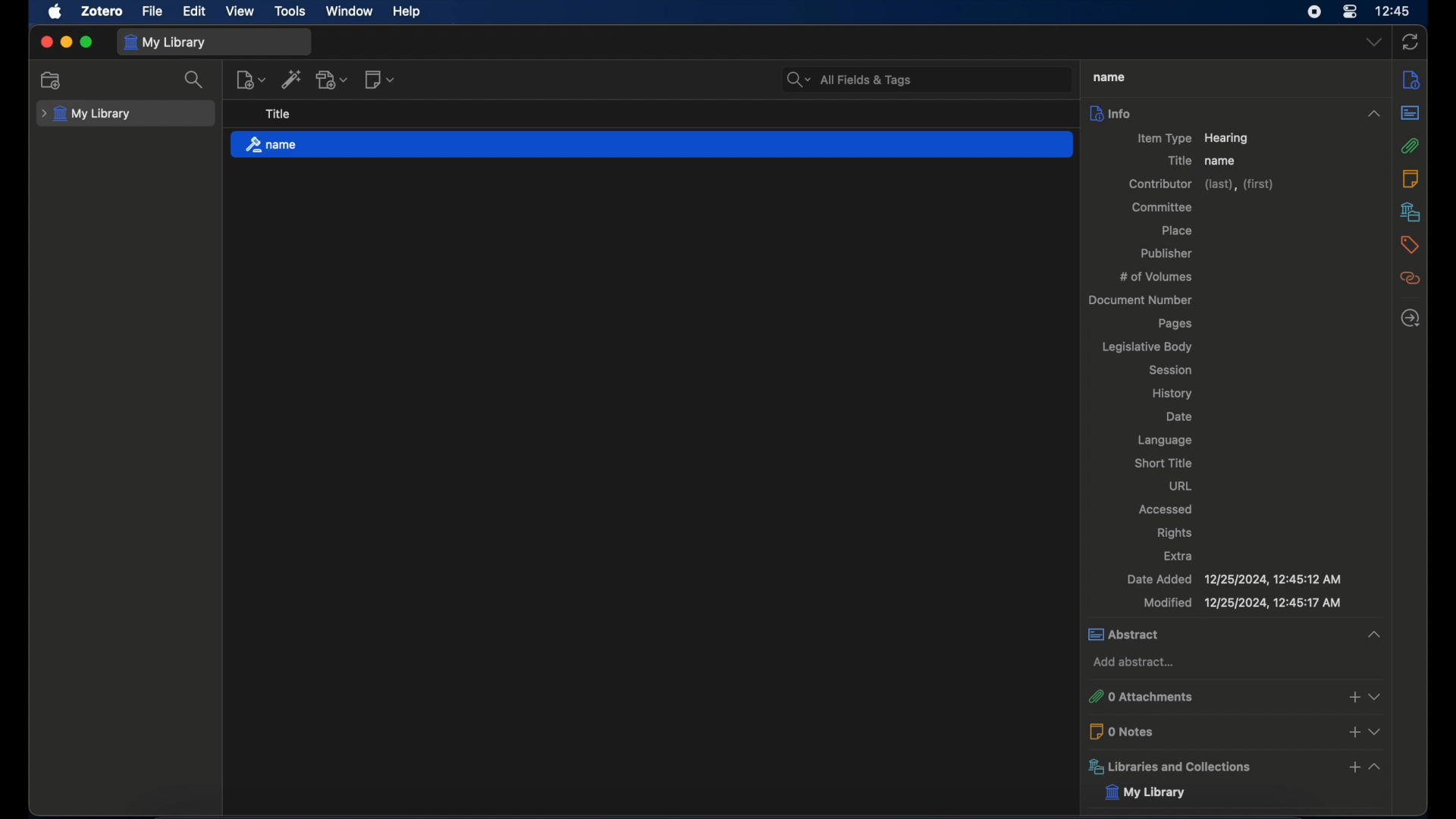 The image size is (1456, 819). What do you see at coordinates (1168, 253) in the screenshot?
I see `publisher` at bounding box center [1168, 253].